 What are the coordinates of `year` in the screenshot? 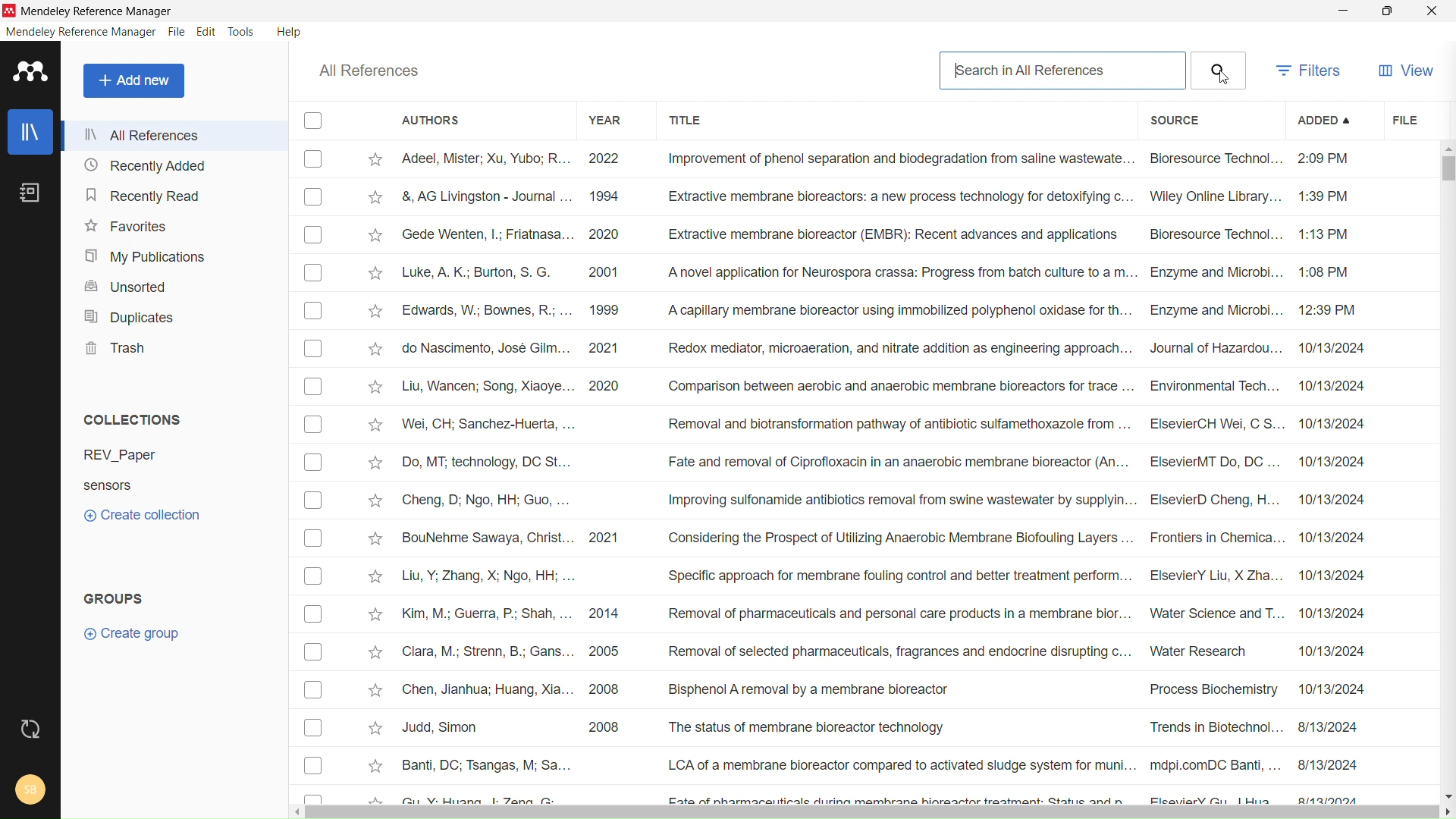 It's located at (608, 120).